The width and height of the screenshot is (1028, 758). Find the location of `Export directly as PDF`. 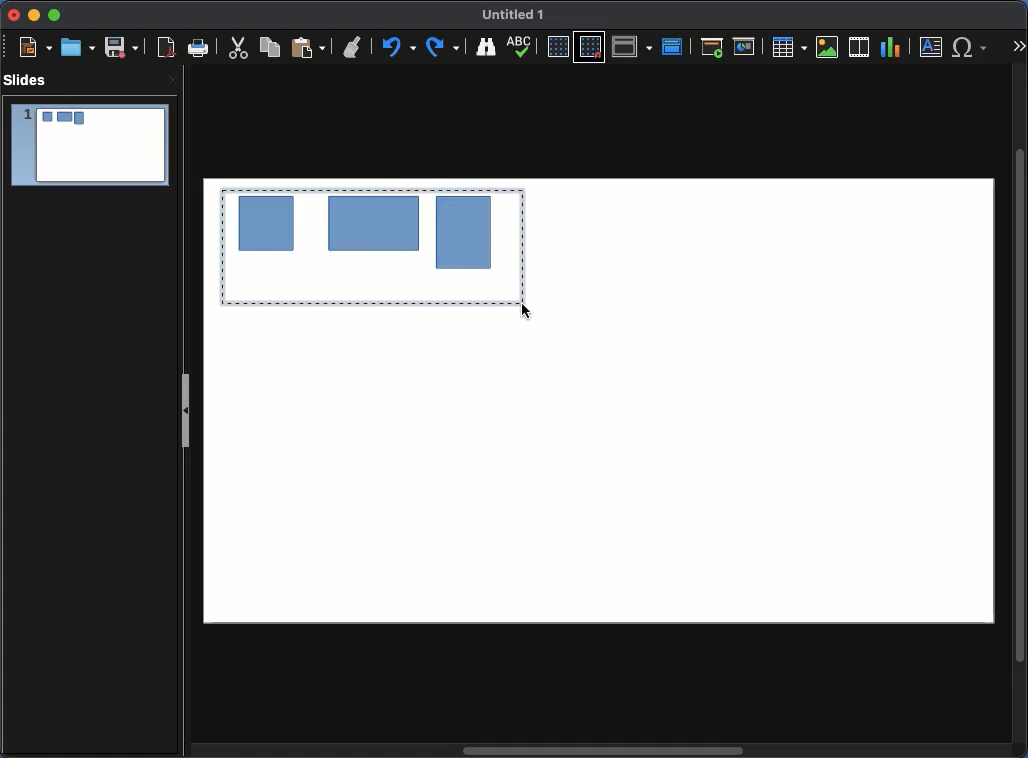

Export directly as PDF is located at coordinates (163, 48).